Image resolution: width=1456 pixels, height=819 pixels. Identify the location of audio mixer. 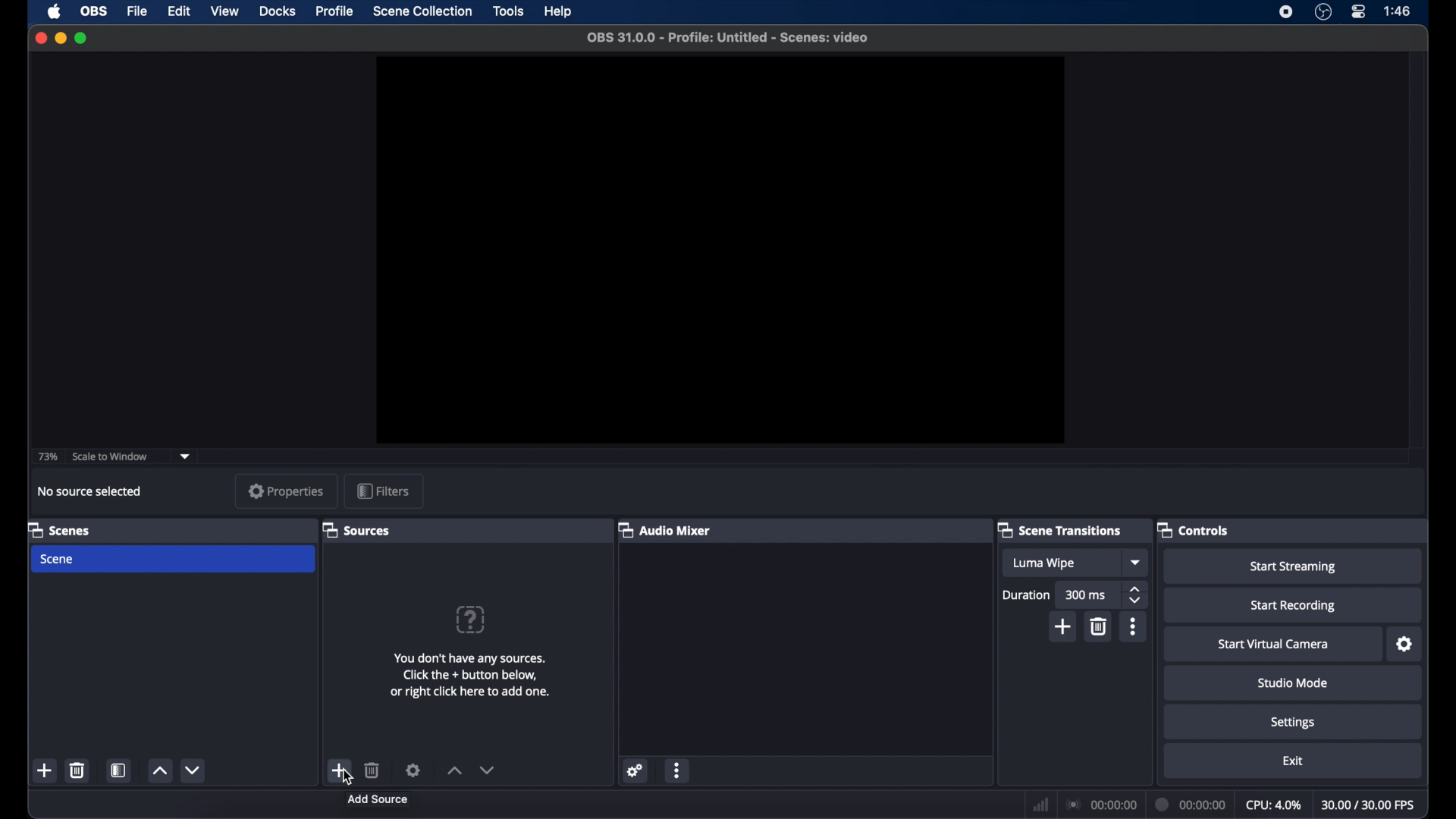
(664, 529).